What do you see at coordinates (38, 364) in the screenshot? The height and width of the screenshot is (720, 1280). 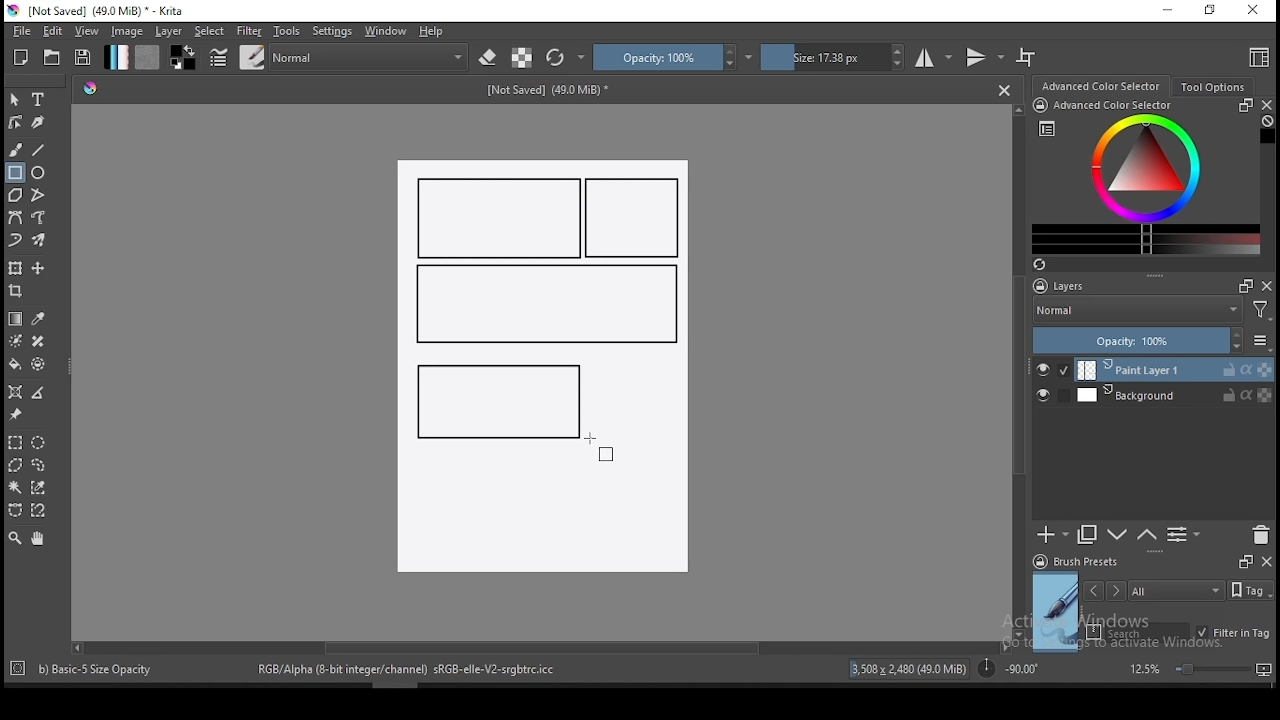 I see `enclose and fill tool` at bounding box center [38, 364].